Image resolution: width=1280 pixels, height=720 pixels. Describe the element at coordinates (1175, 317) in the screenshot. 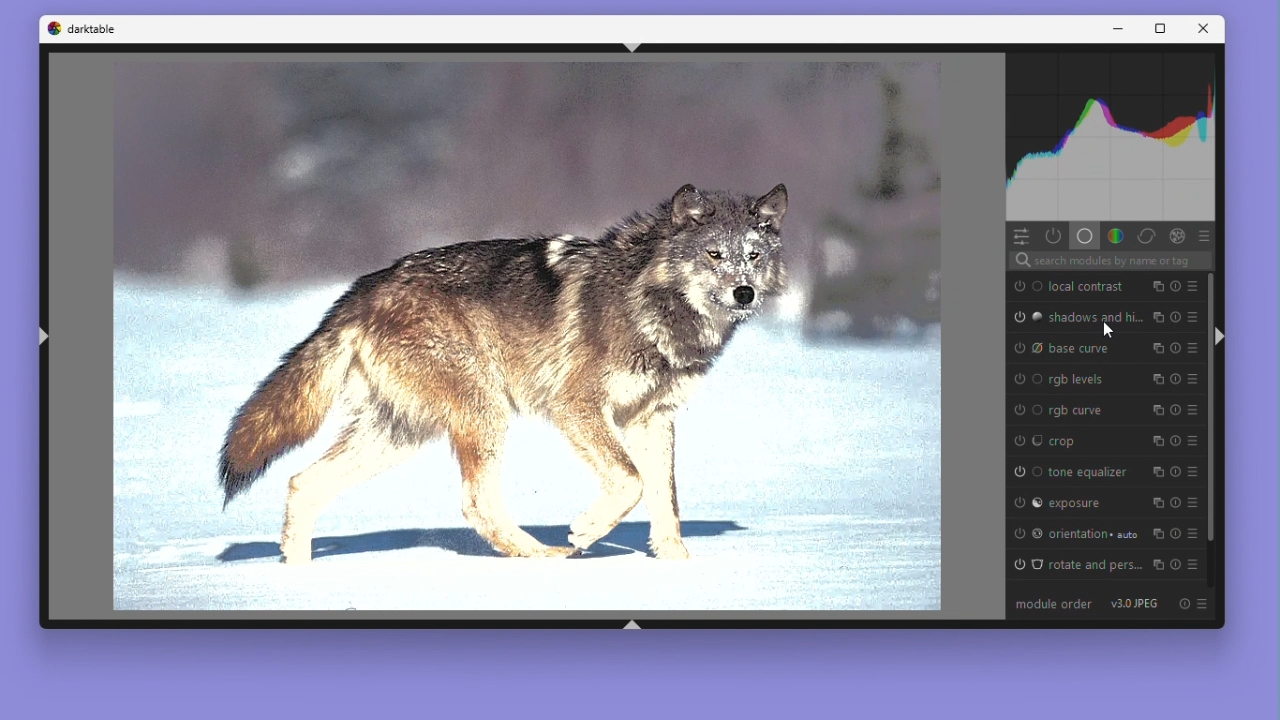

I see `reset parameters` at that location.